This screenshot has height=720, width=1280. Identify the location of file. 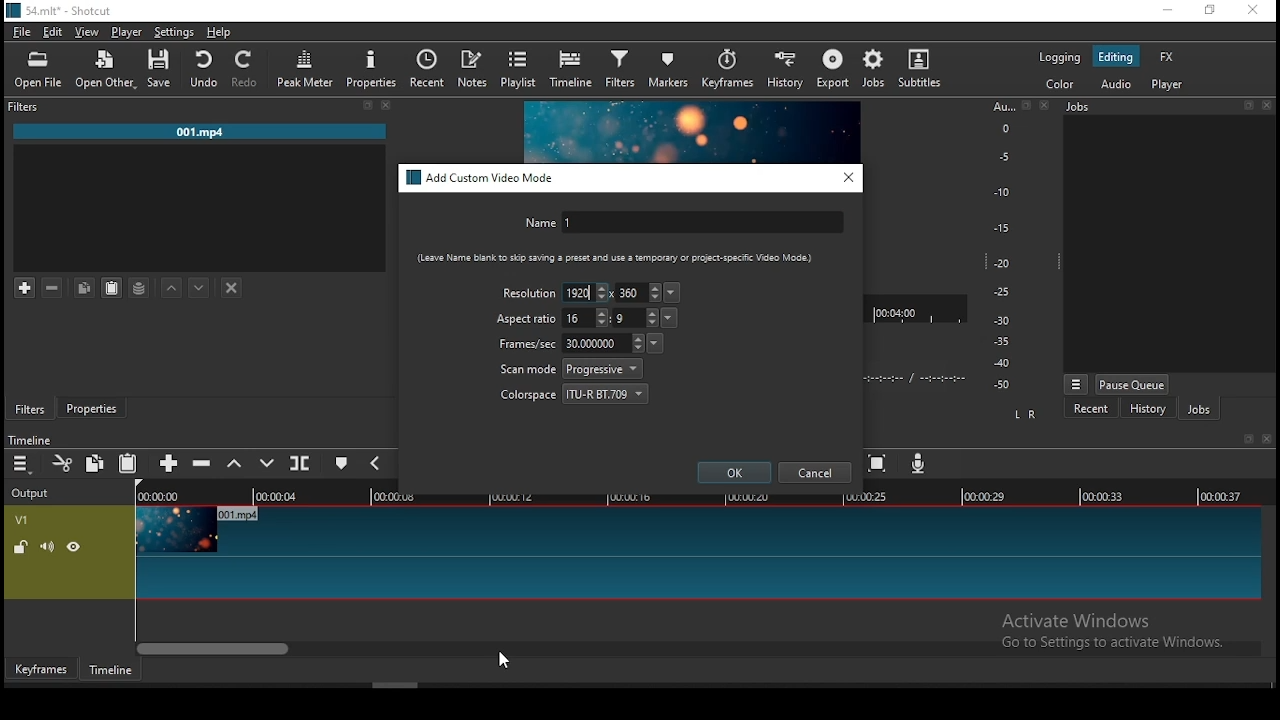
(22, 34).